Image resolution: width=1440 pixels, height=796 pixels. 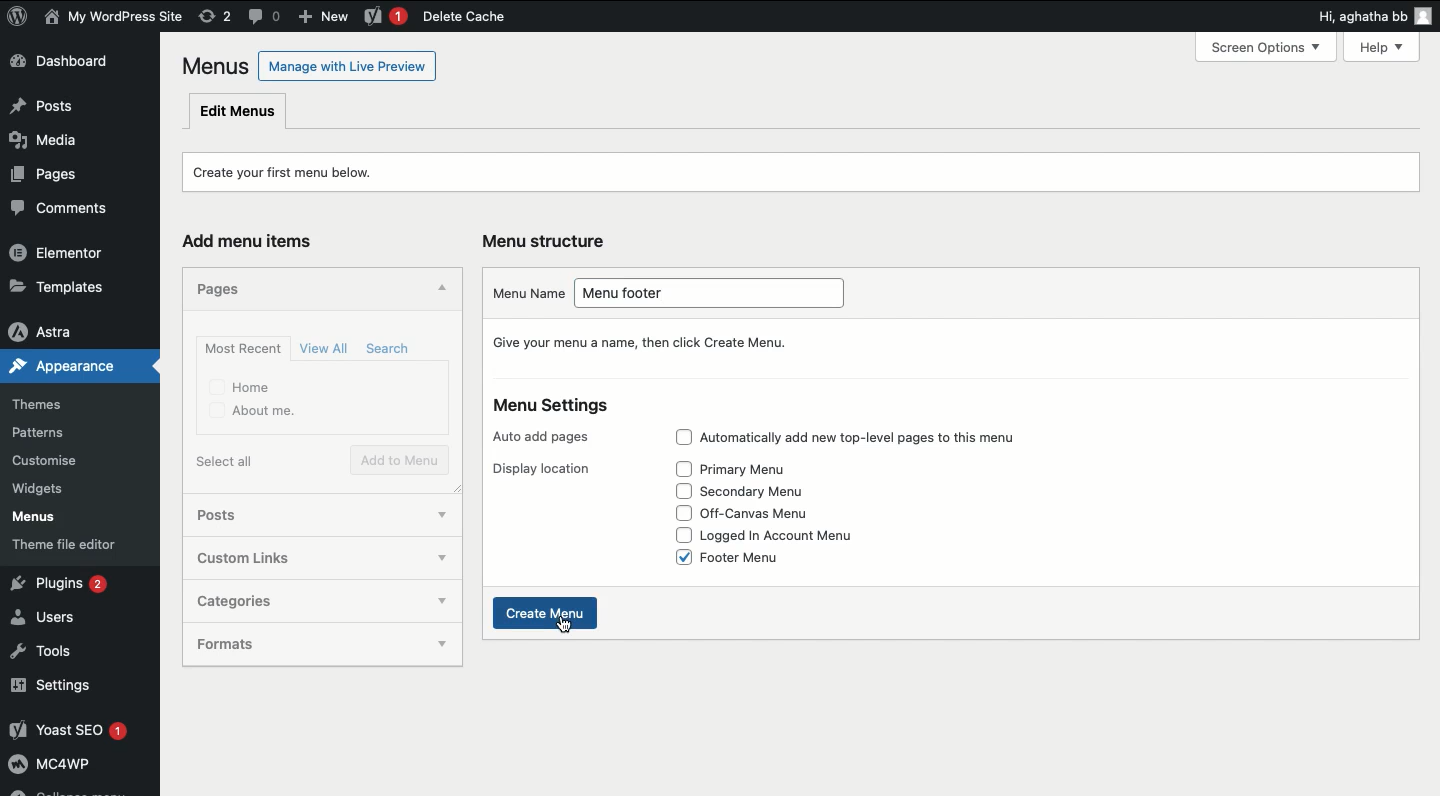 I want to click on Menus, so click(x=48, y=519).